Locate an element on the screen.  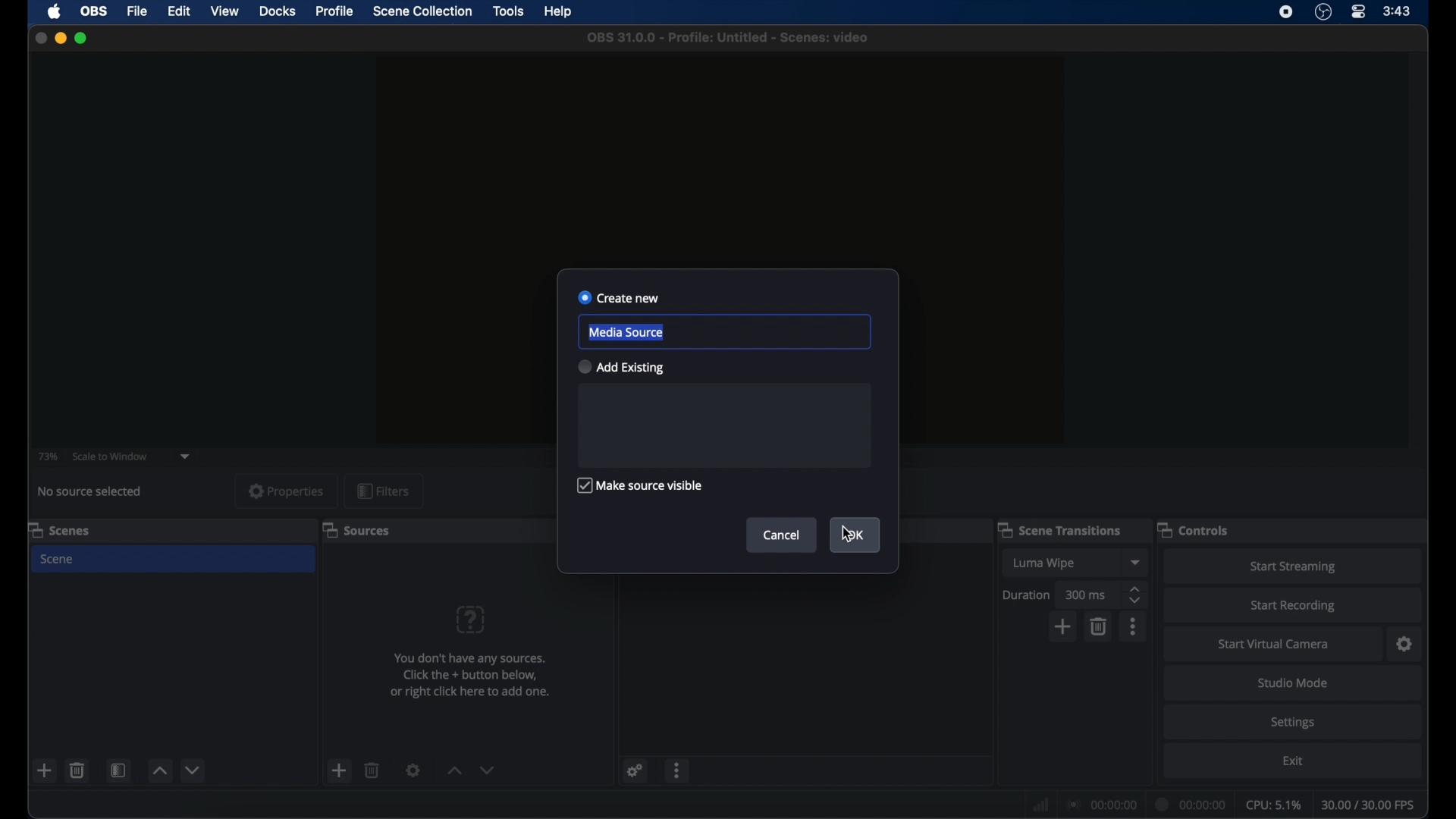
apple icon is located at coordinates (55, 11).